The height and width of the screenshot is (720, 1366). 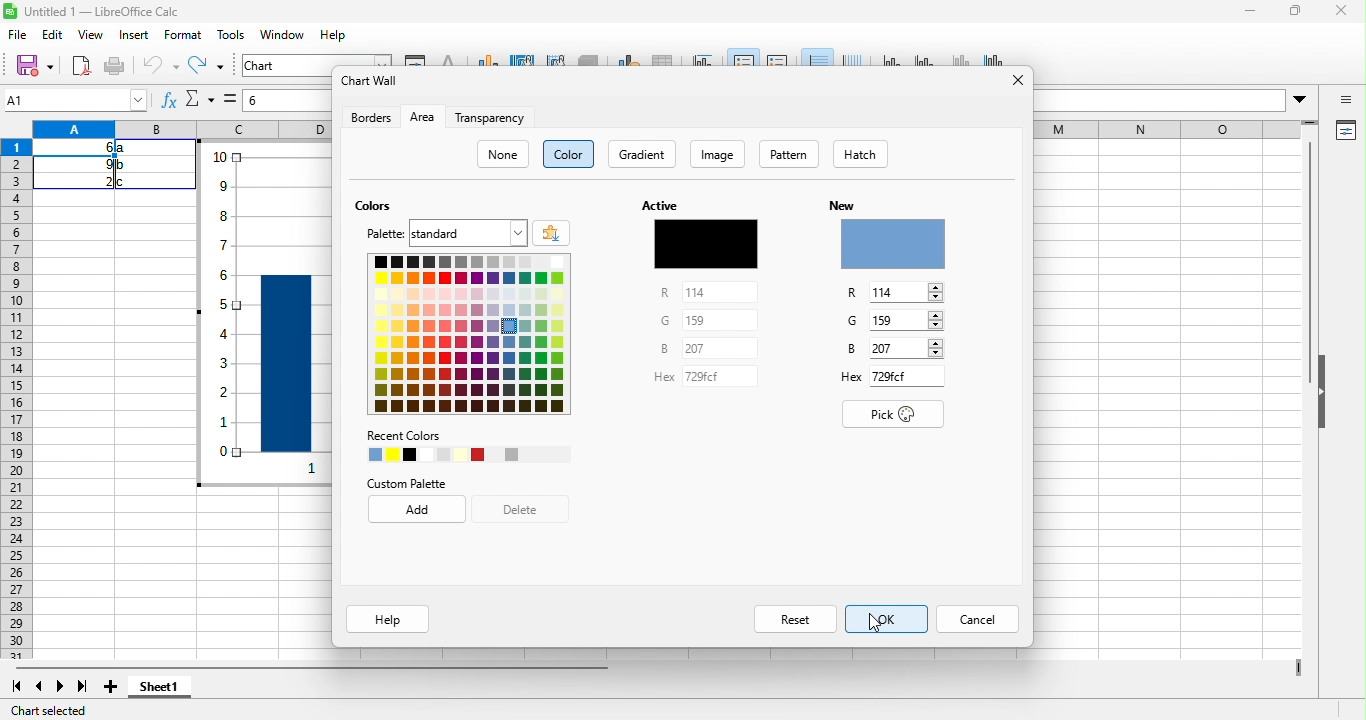 I want to click on sidebar open or close, so click(x=1347, y=101).